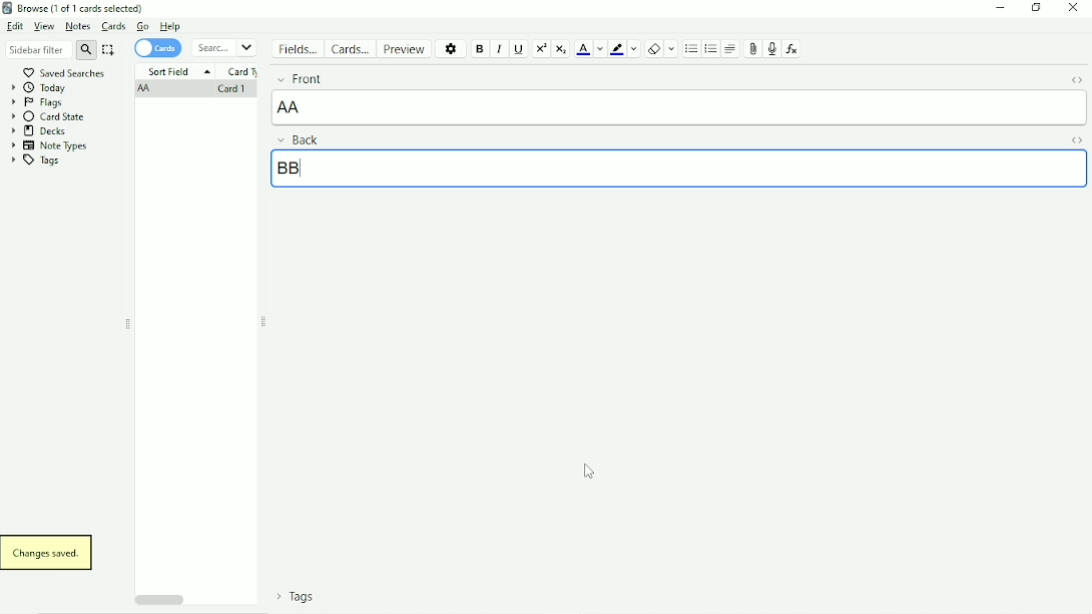  What do you see at coordinates (1076, 82) in the screenshot?
I see `Toggle HTML Editor` at bounding box center [1076, 82].